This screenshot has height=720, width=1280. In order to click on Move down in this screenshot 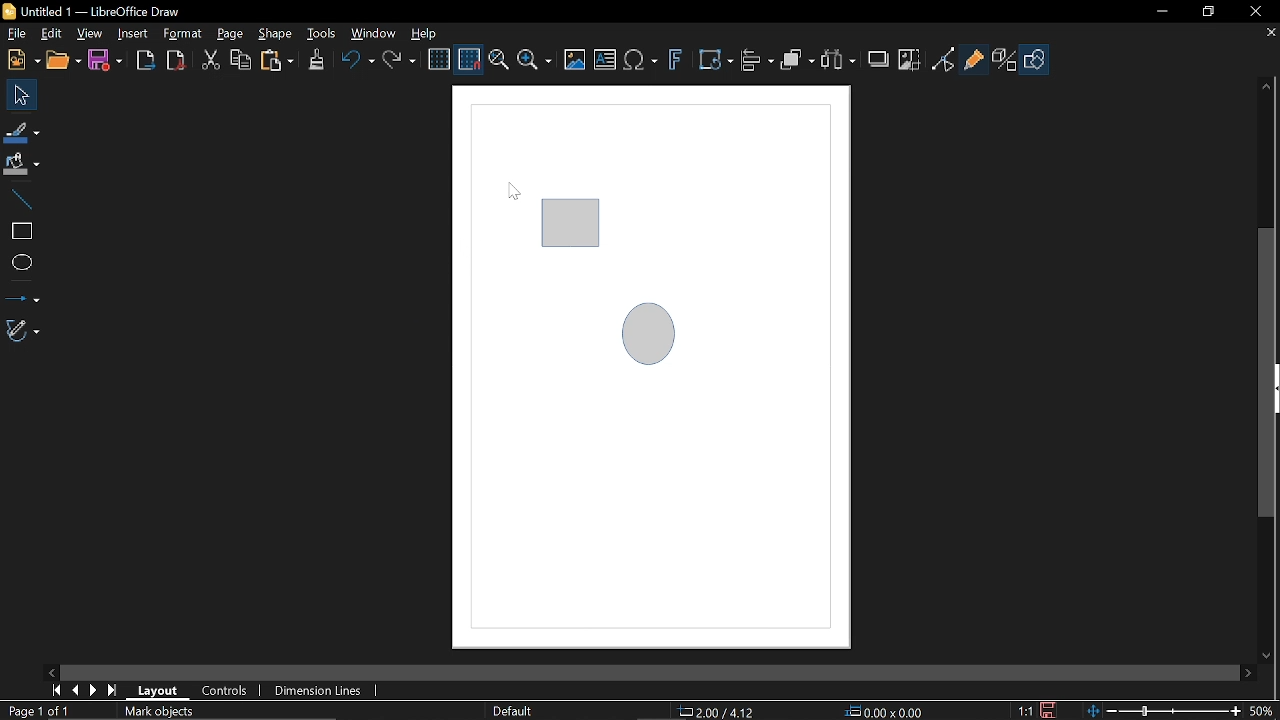, I will do `click(1267, 657)`.